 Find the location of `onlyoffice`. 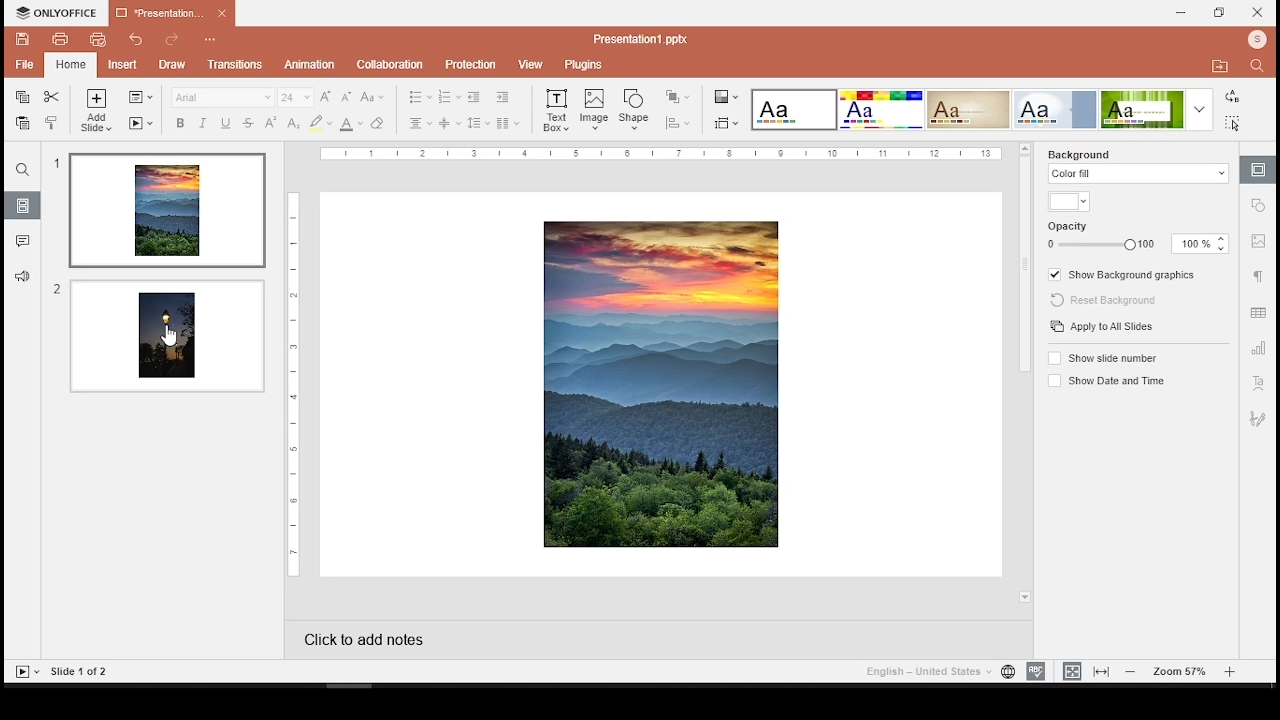

onlyoffice is located at coordinates (53, 12).